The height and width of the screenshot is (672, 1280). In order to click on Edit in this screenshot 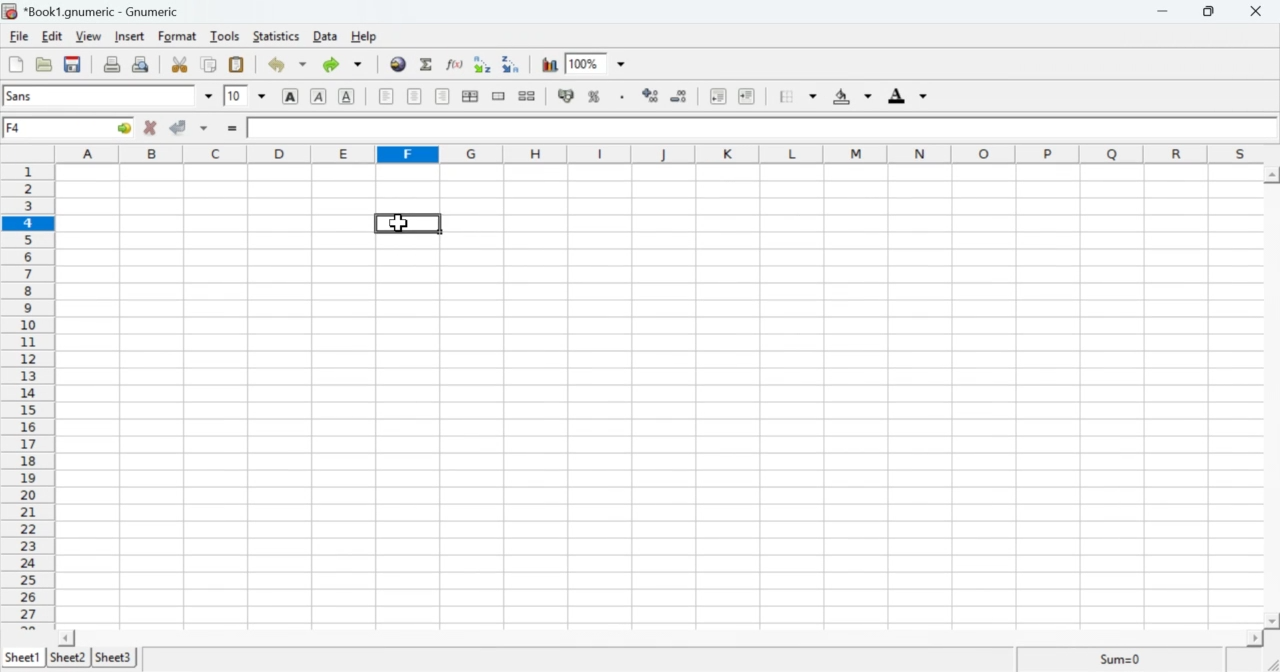, I will do `click(52, 37)`.